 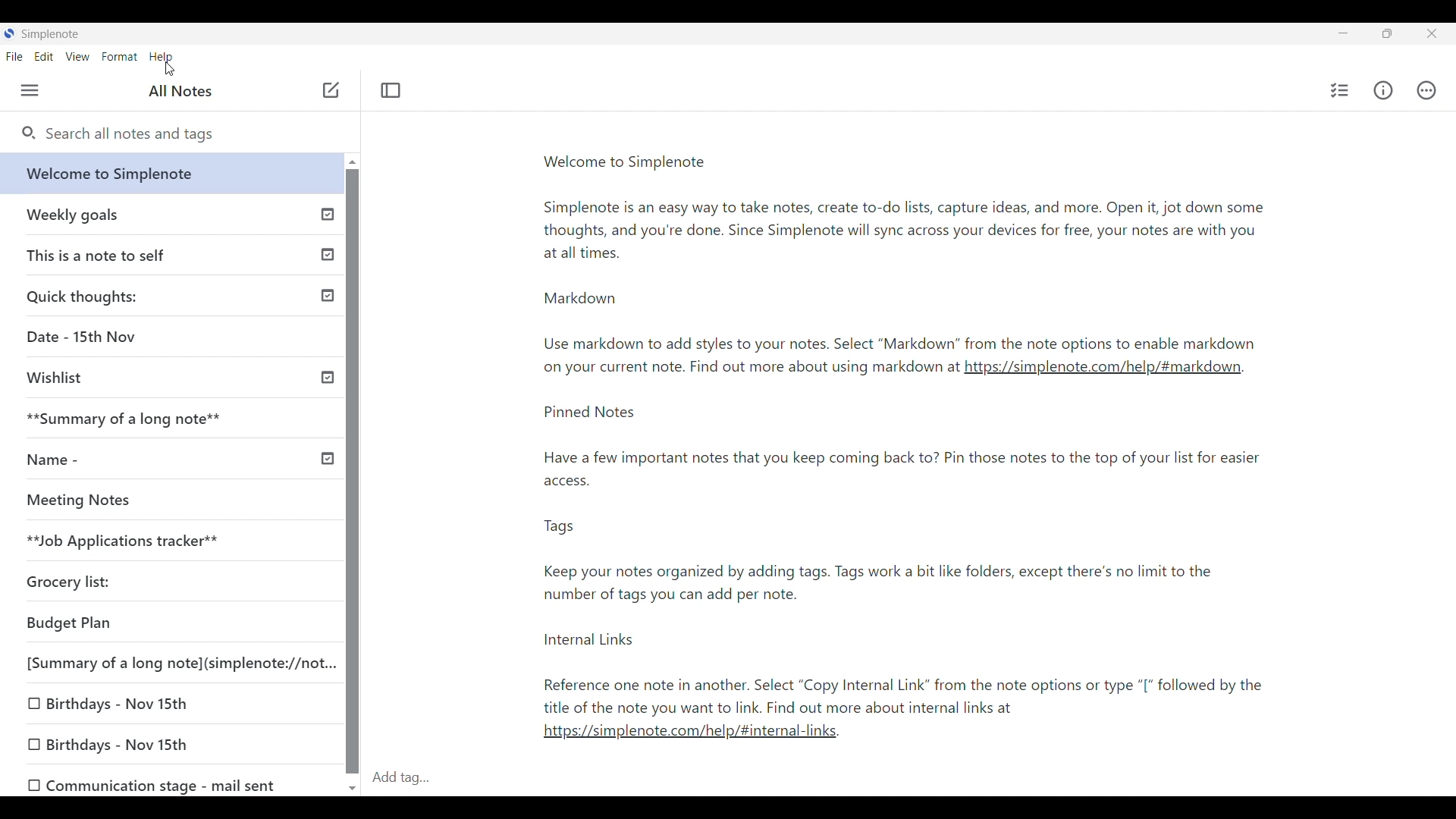 What do you see at coordinates (327, 455) in the screenshot?
I see `` at bounding box center [327, 455].